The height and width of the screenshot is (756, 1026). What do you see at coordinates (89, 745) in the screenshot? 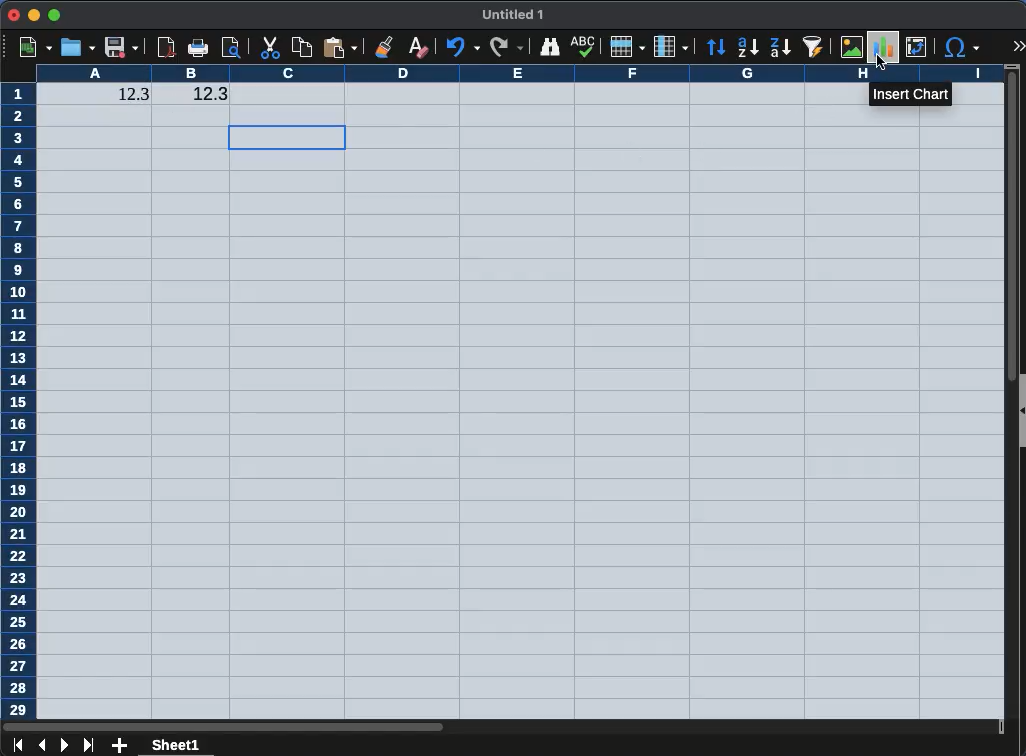
I see `last sheet` at bounding box center [89, 745].